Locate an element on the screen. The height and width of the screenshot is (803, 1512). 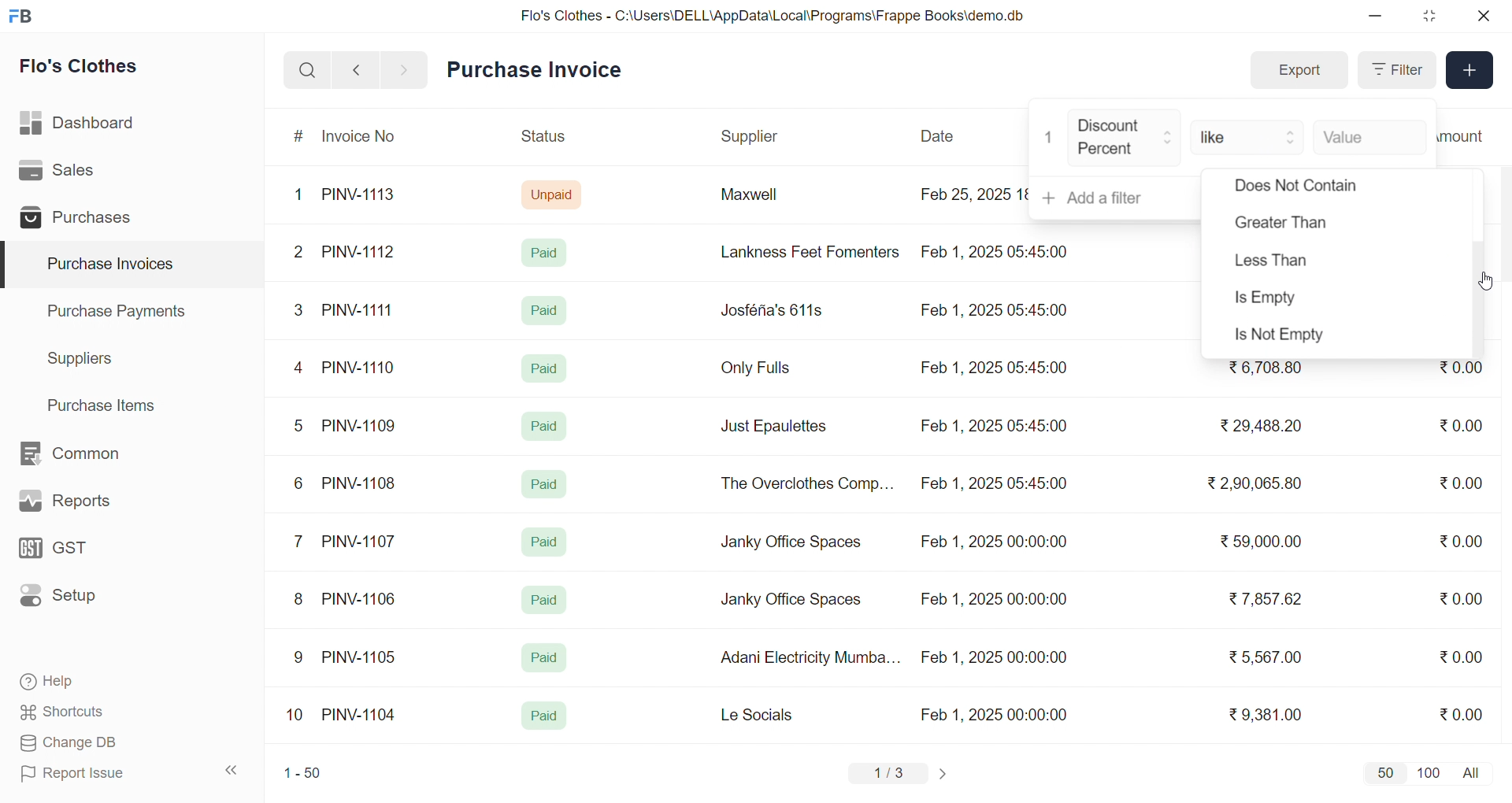
Discount Percent is located at coordinates (1125, 139).